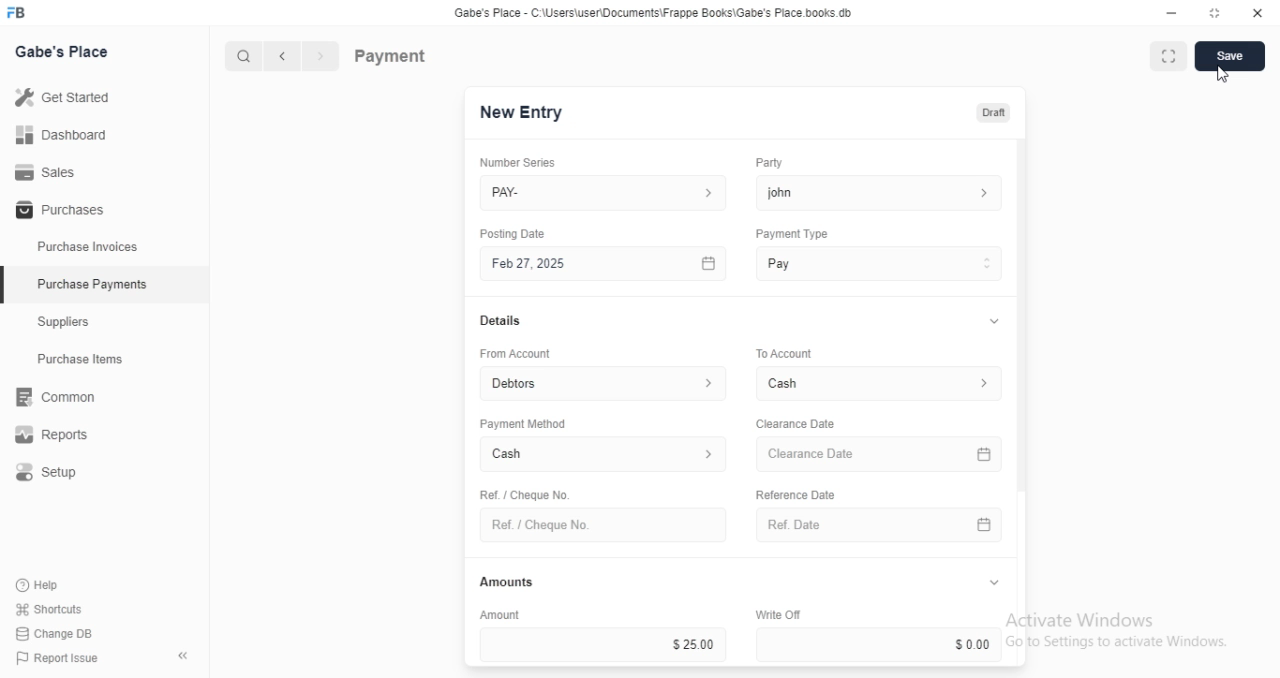 The image size is (1280, 678). Describe the element at coordinates (70, 324) in the screenshot. I see `Suppliers` at that location.